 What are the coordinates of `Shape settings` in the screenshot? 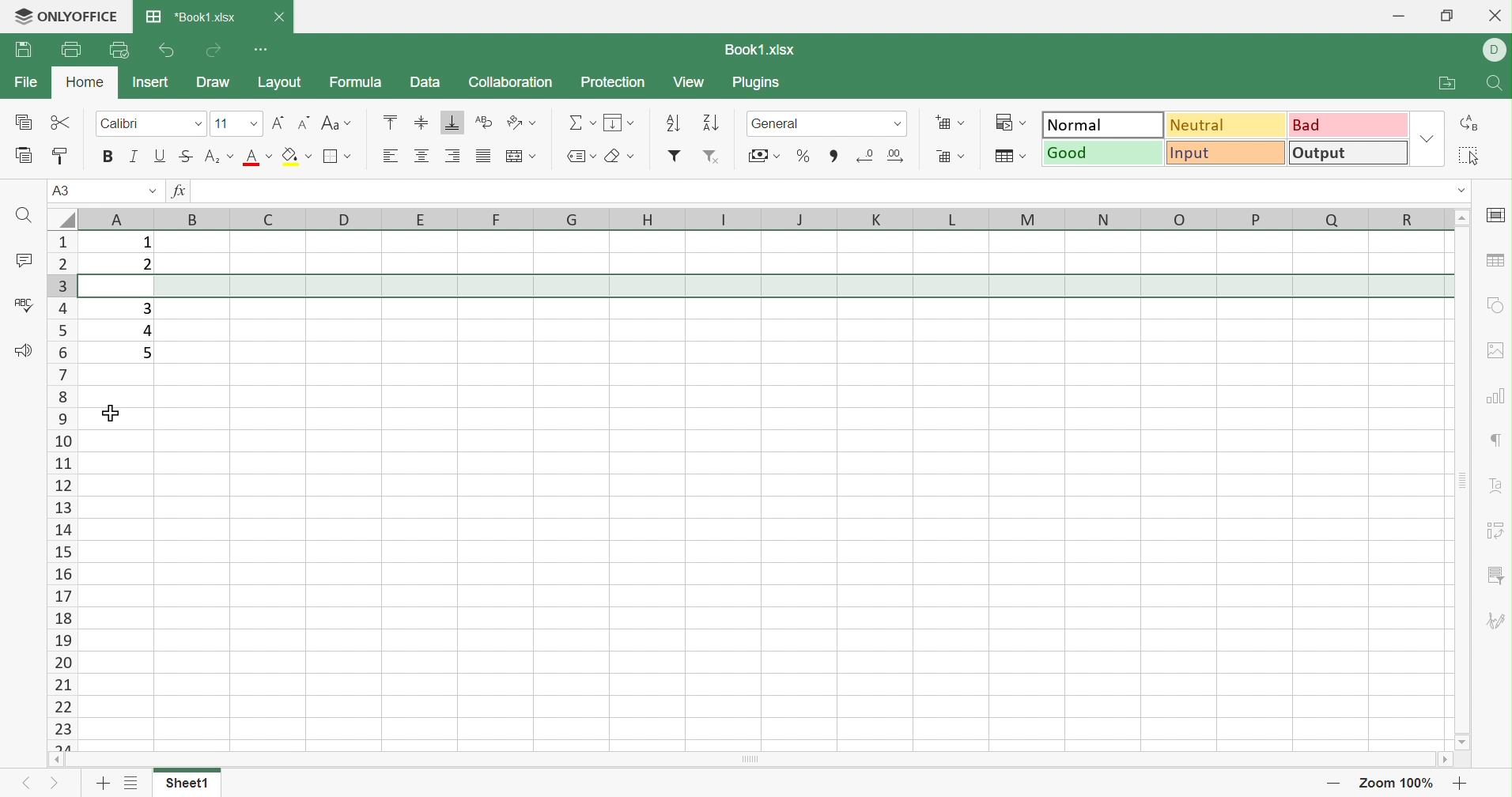 It's located at (1494, 305).